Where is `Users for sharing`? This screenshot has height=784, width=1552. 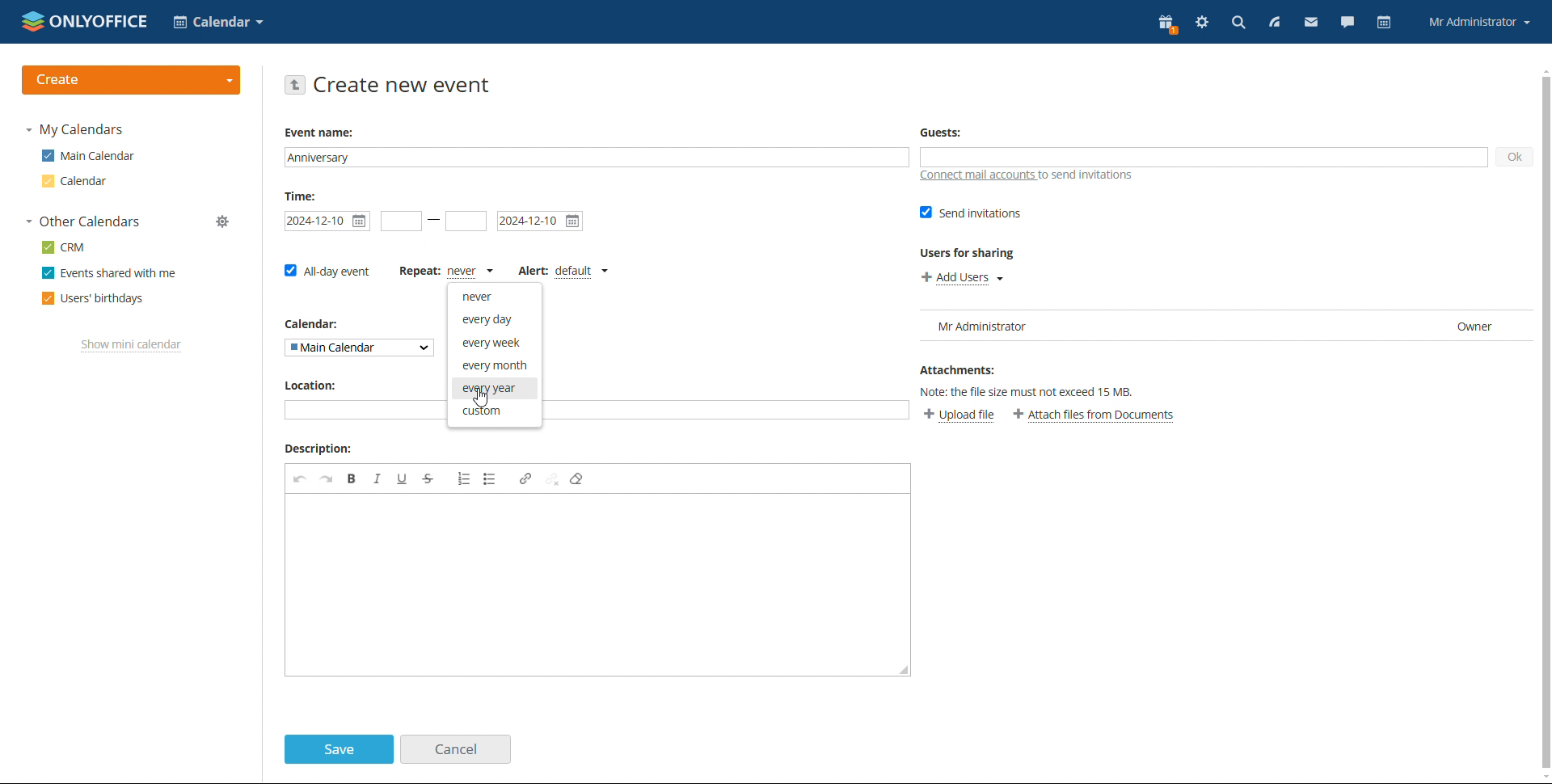 Users for sharing is located at coordinates (959, 252).